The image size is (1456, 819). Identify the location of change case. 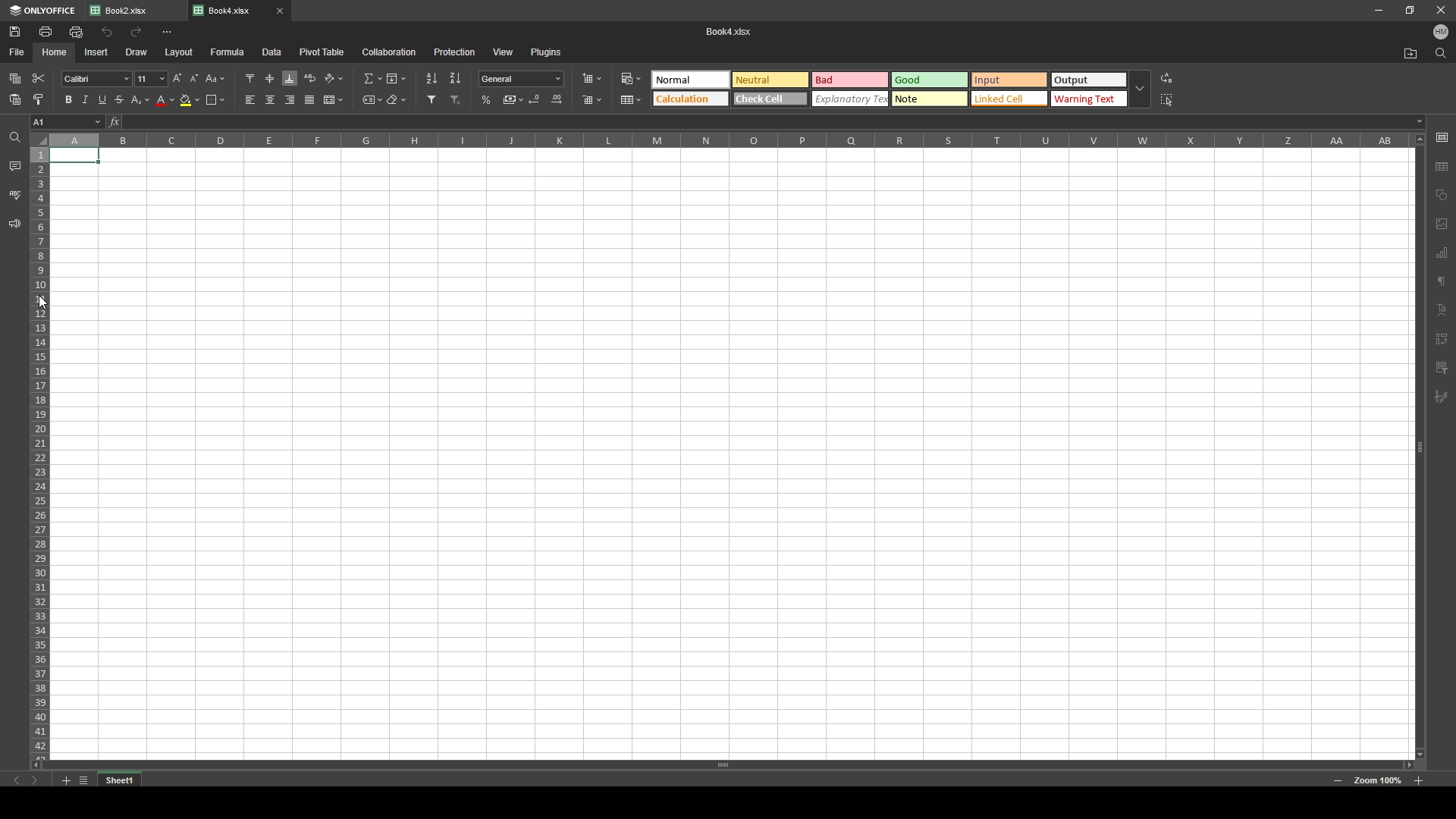
(215, 79).